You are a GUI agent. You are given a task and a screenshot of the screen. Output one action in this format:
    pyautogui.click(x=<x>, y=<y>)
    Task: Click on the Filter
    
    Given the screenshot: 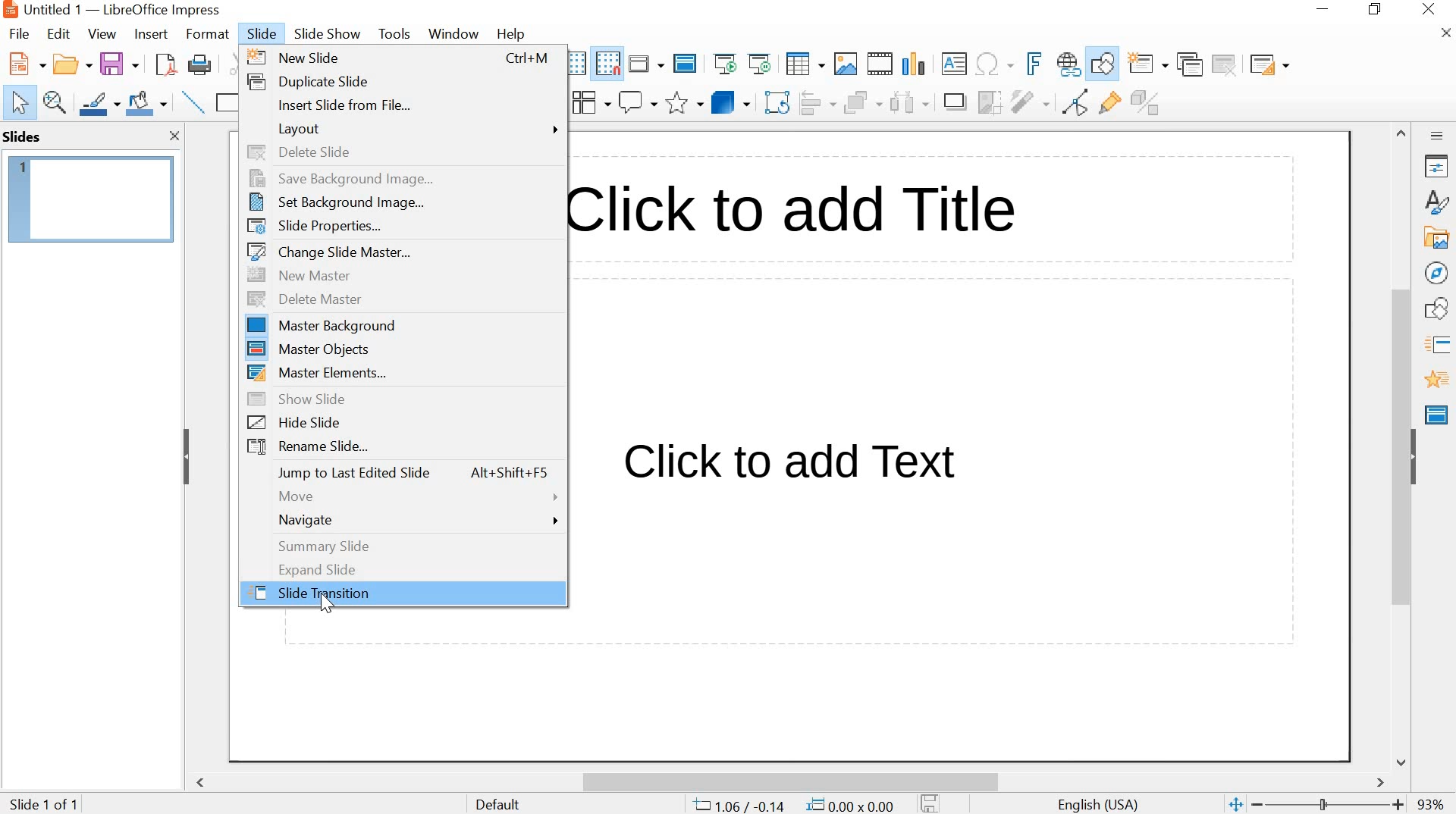 What is the action you would take?
    pyautogui.click(x=1029, y=102)
    